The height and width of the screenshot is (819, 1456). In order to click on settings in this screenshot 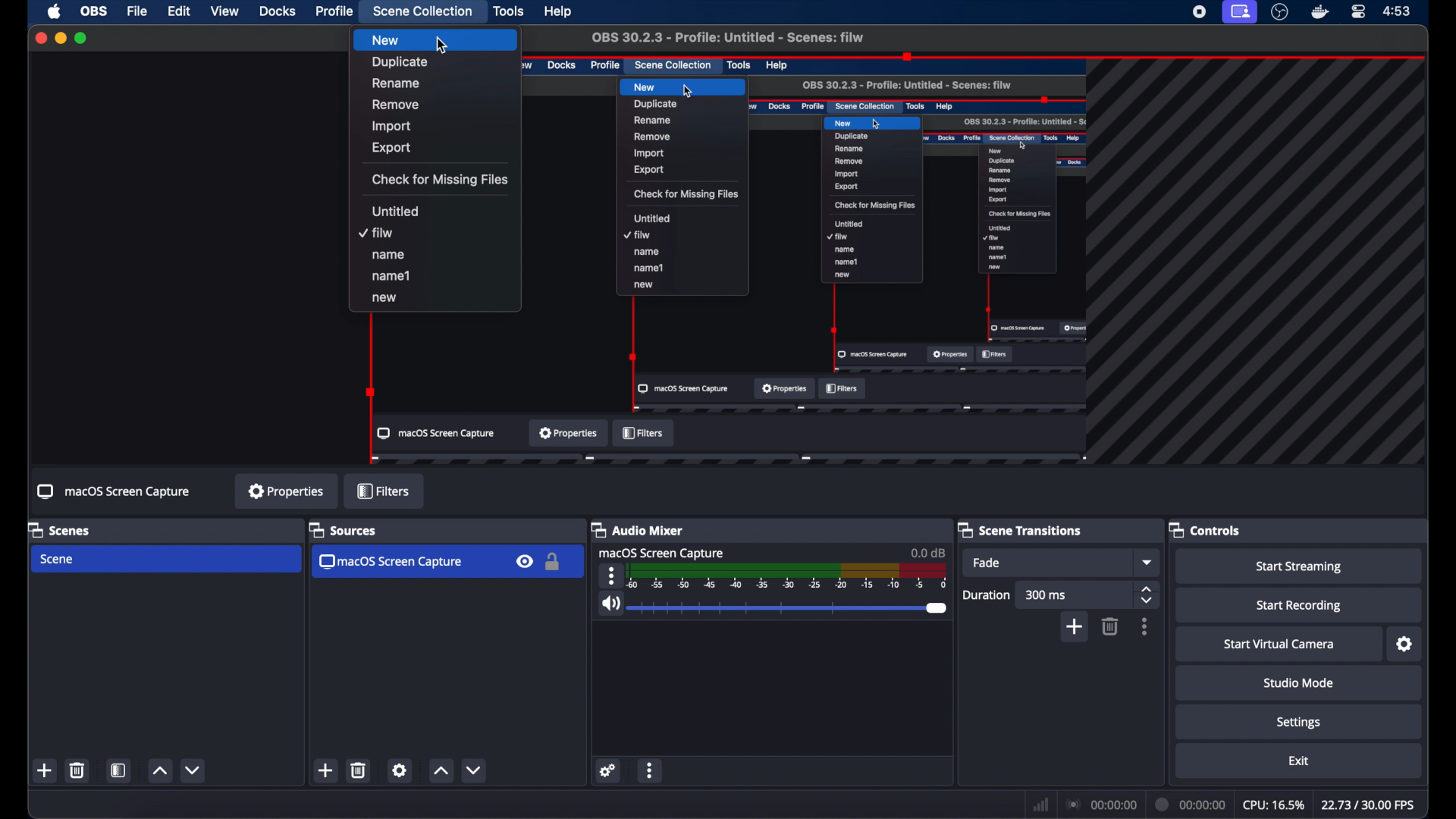, I will do `click(1404, 643)`.